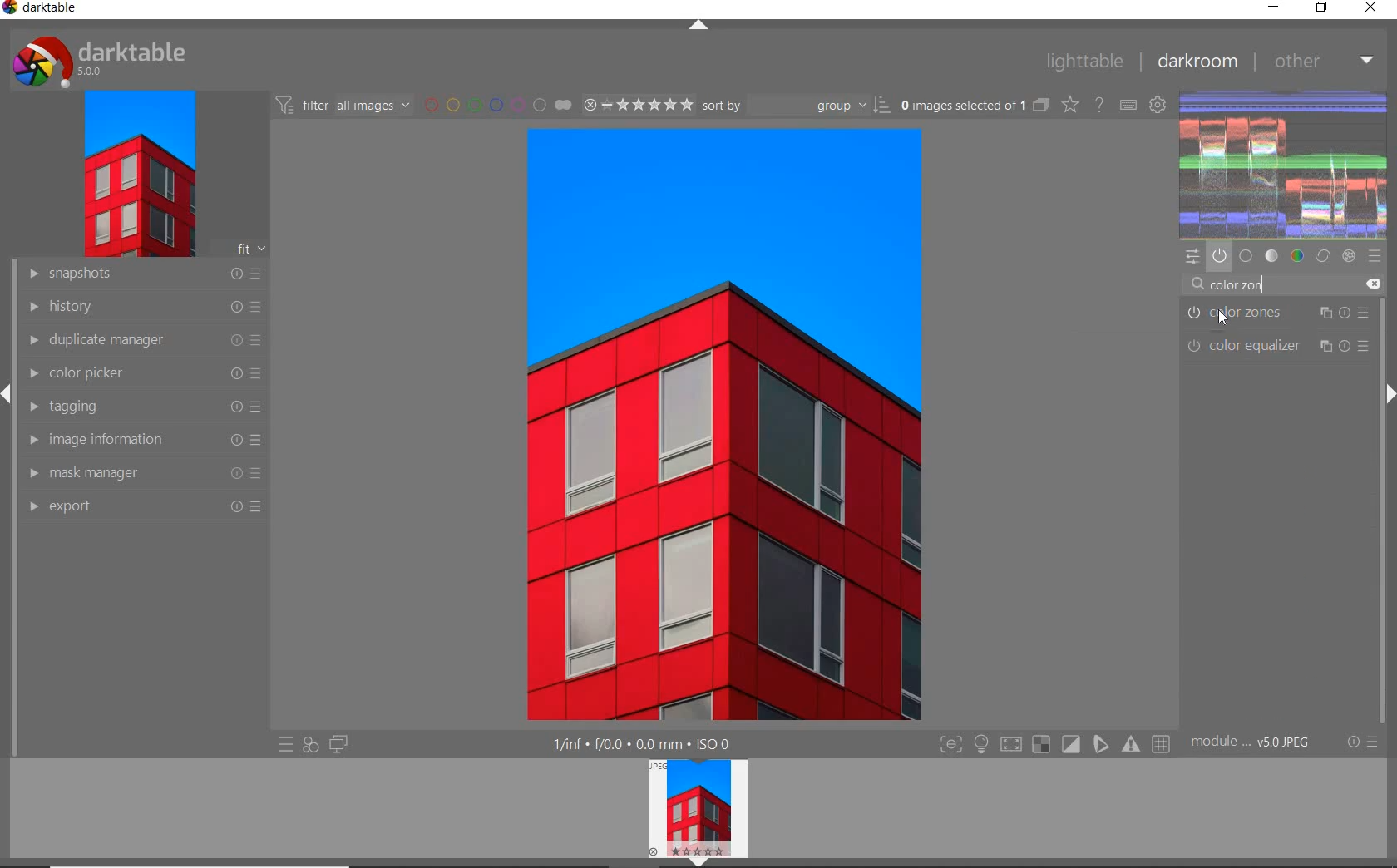  What do you see at coordinates (1272, 255) in the screenshot?
I see `tone` at bounding box center [1272, 255].